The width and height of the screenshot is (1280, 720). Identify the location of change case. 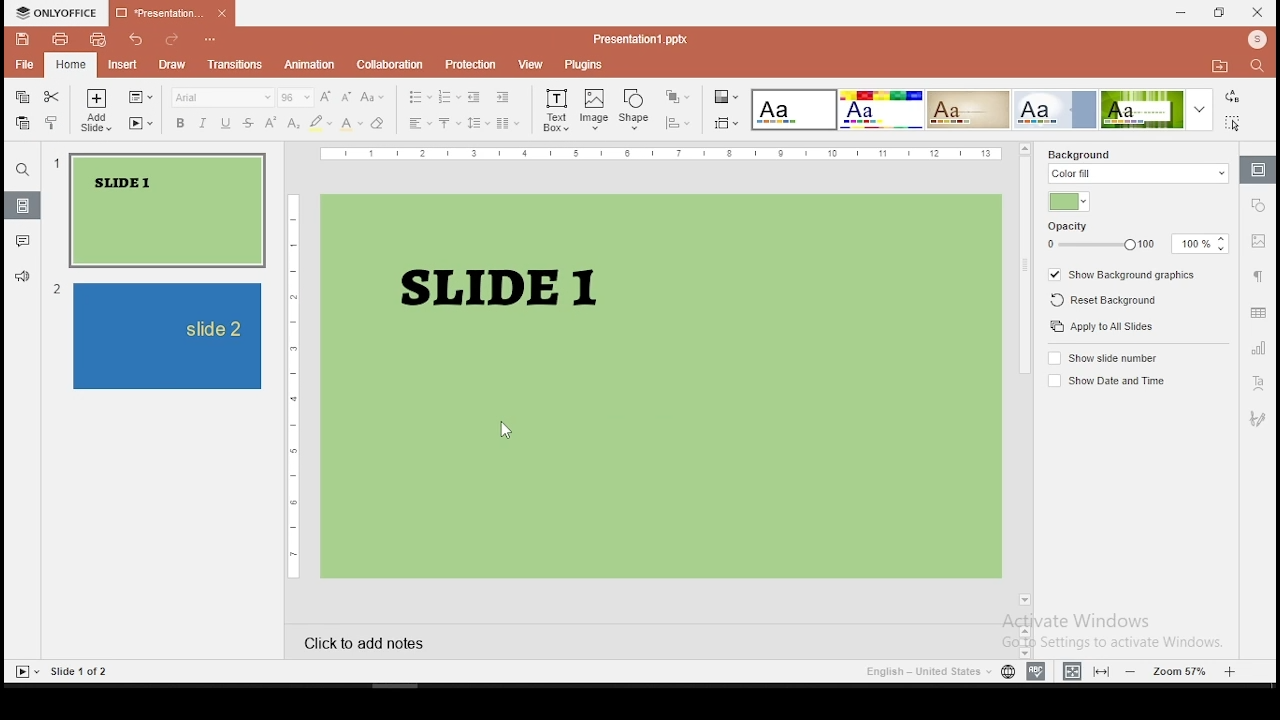
(371, 97).